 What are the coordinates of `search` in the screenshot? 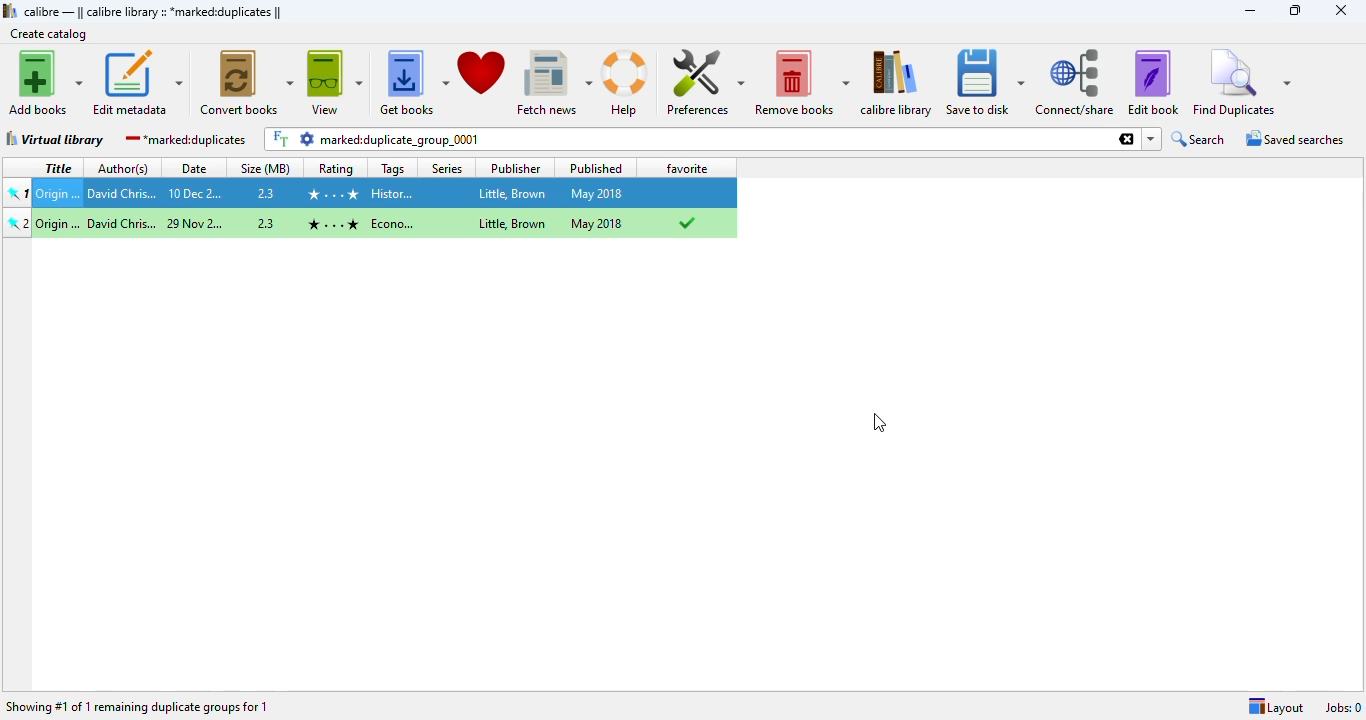 It's located at (1198, 139).